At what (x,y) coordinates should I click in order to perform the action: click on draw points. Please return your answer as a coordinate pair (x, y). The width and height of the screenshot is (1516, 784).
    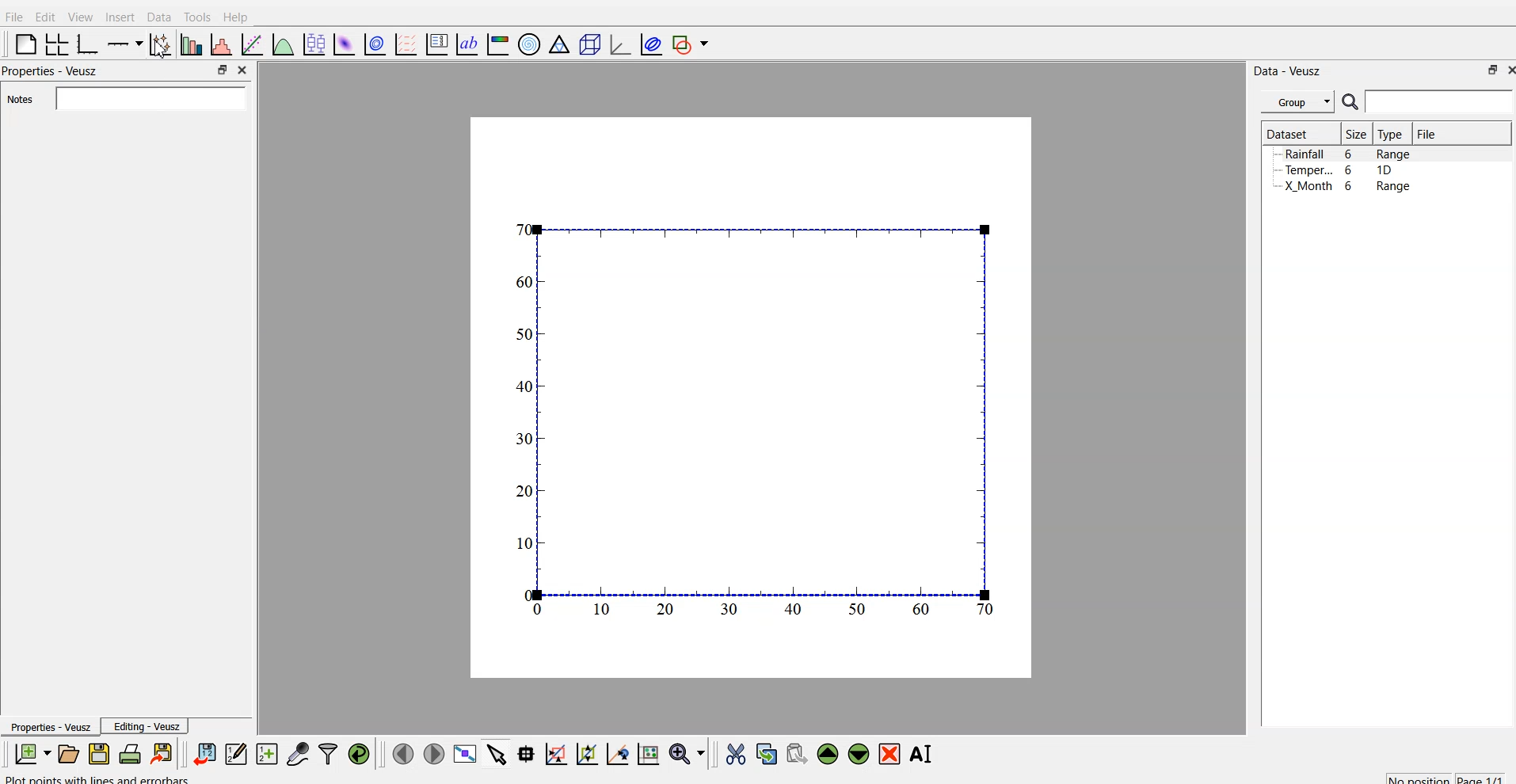
    Looking at the image, I should click on (584, 754).